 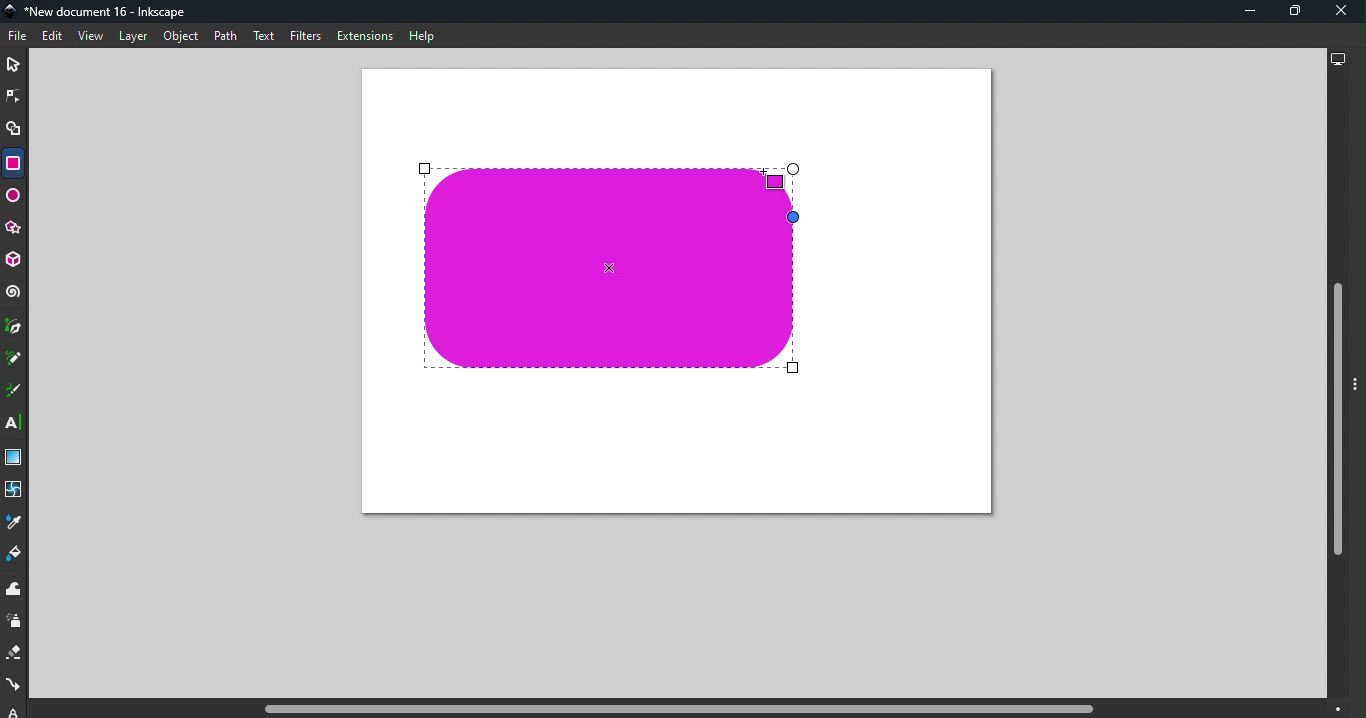 I want to click on Eraser tool, so click(x=16, y=653).